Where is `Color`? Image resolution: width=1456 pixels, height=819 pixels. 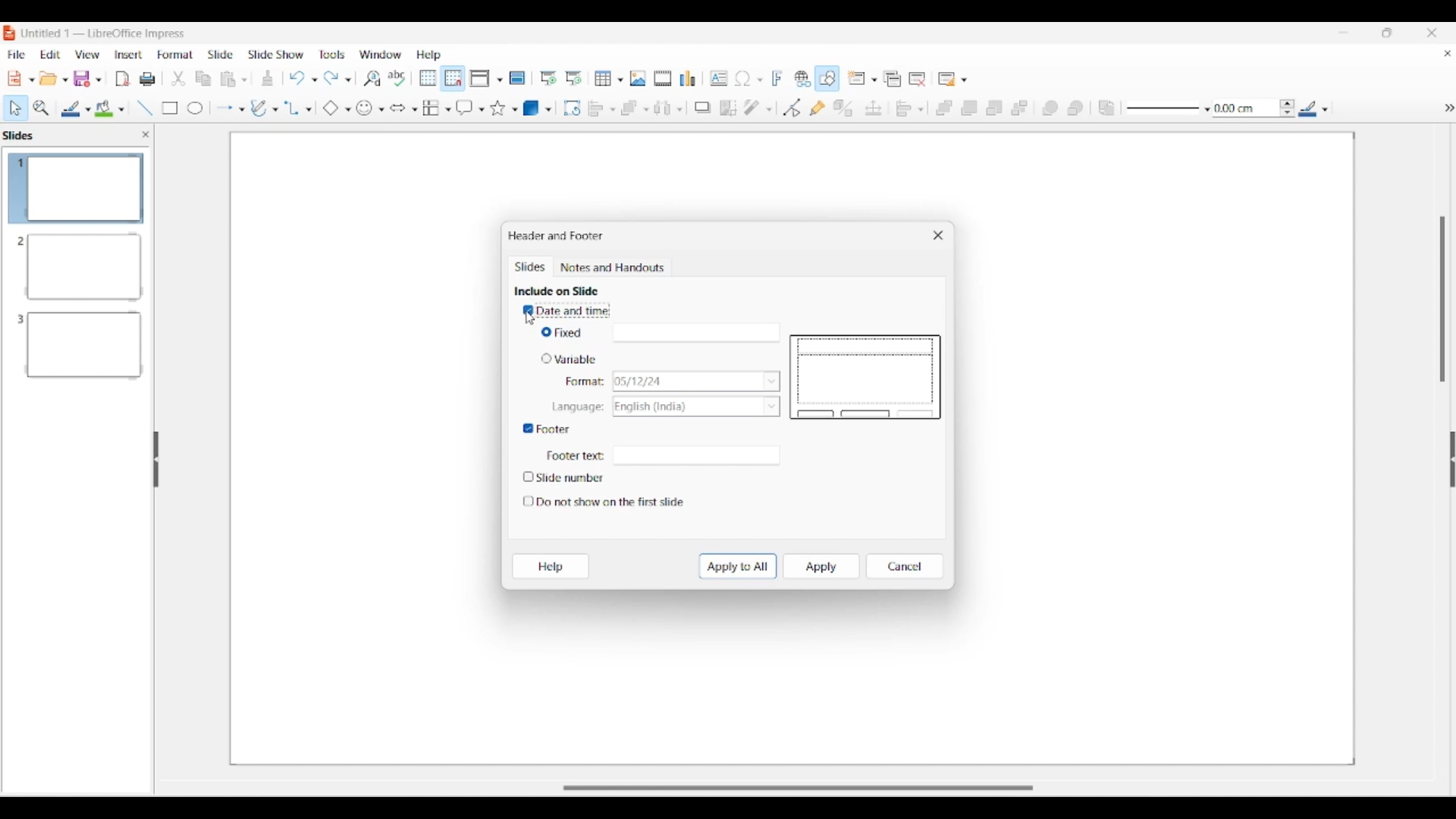 Color is located at coordinates (108, 106).